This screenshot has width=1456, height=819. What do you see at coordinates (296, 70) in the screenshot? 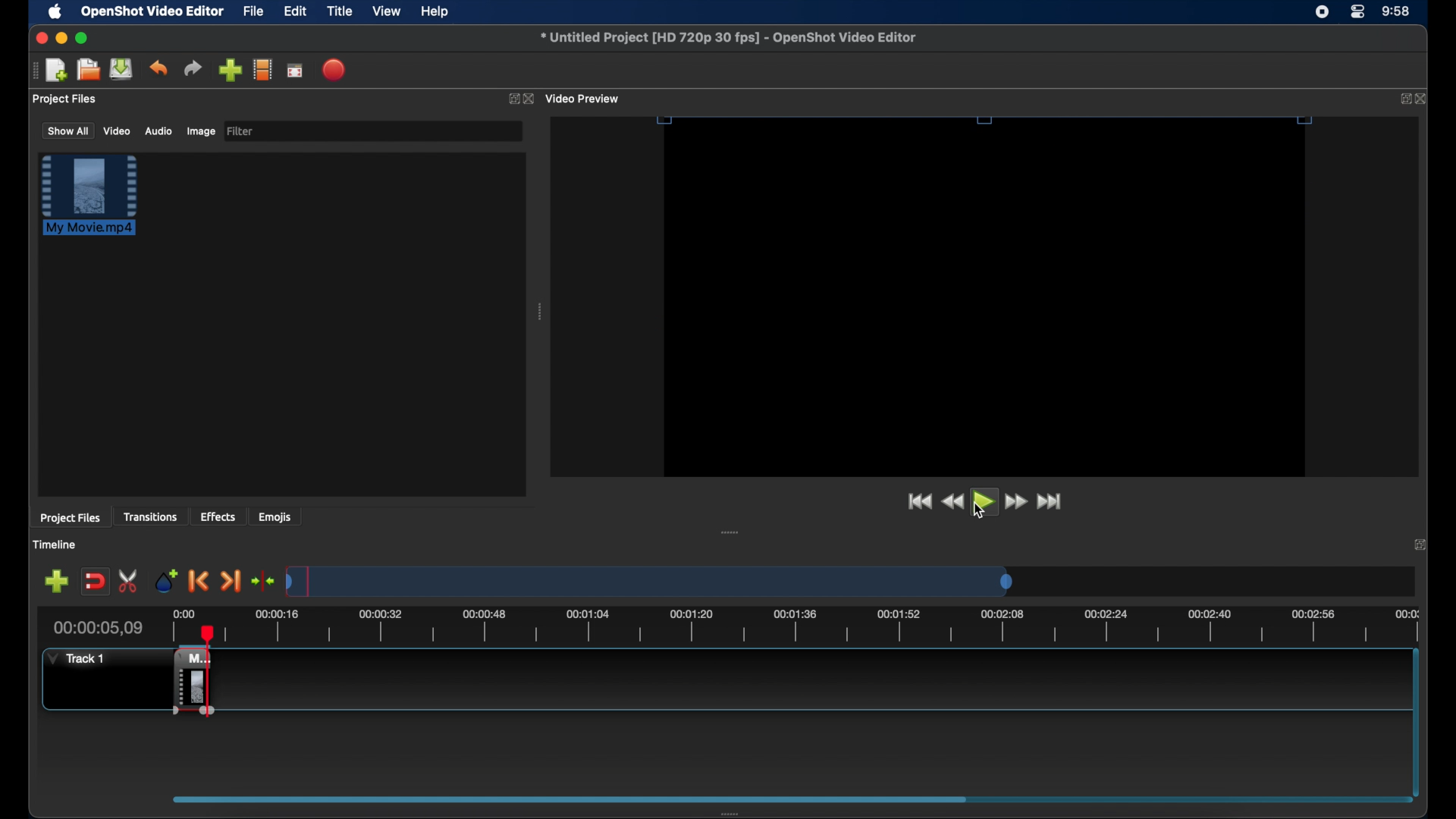
I see `full screen` at bounding box center [296, 70].